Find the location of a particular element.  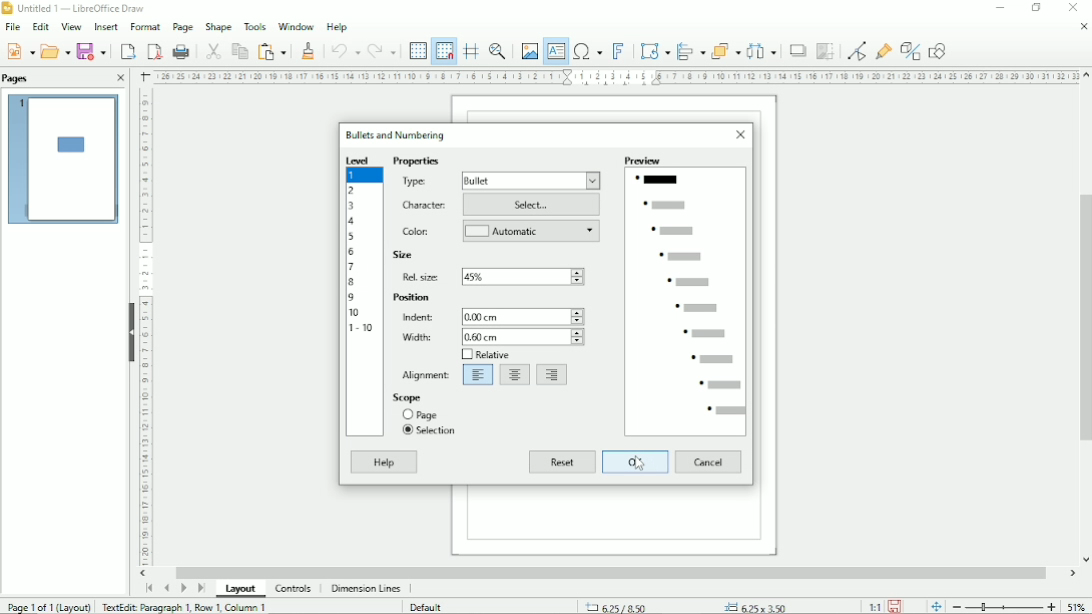

Helplines while moving is located at coordinates (471, 48).